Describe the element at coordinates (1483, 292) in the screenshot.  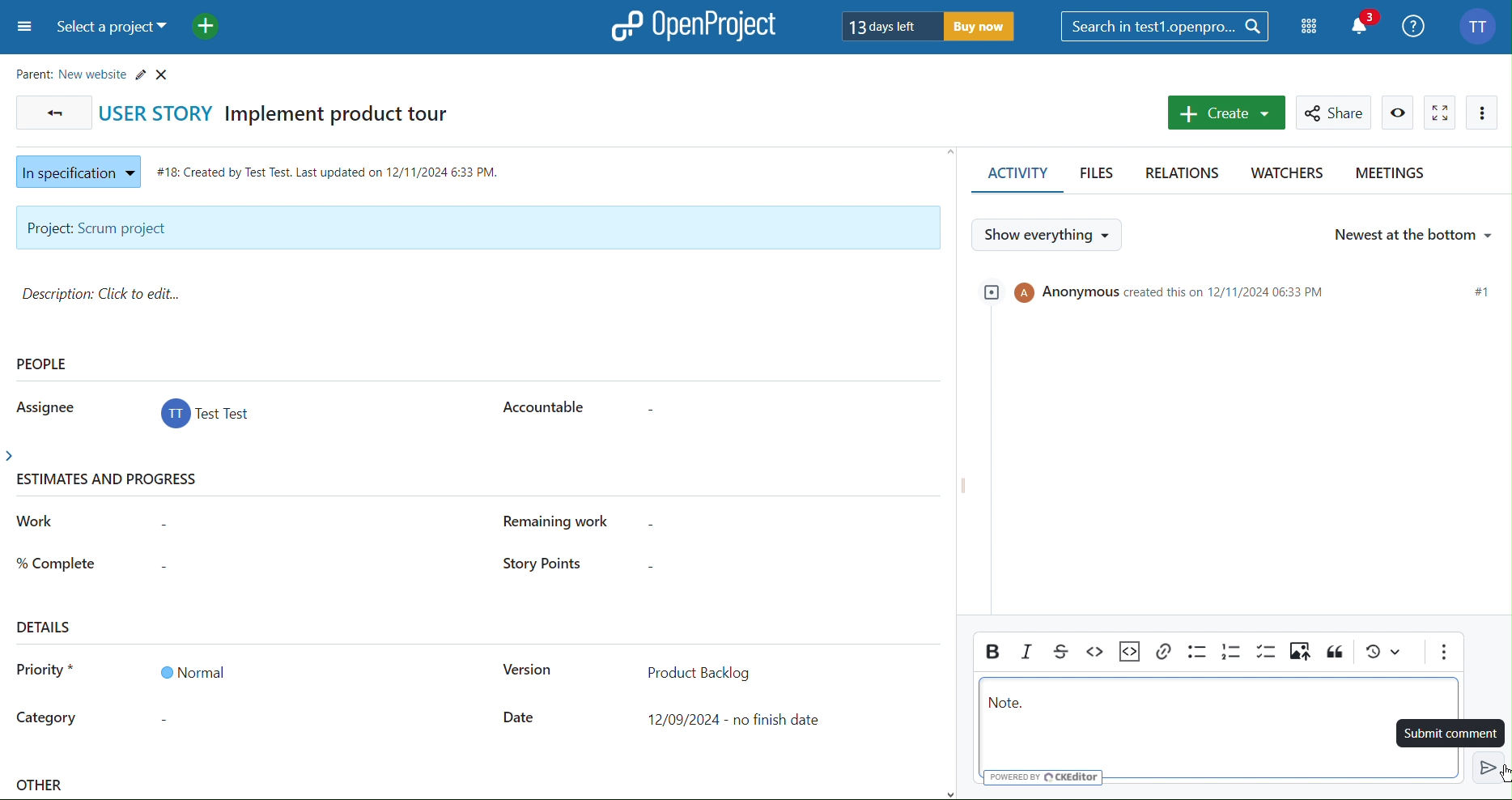
I see `#1` at that location.